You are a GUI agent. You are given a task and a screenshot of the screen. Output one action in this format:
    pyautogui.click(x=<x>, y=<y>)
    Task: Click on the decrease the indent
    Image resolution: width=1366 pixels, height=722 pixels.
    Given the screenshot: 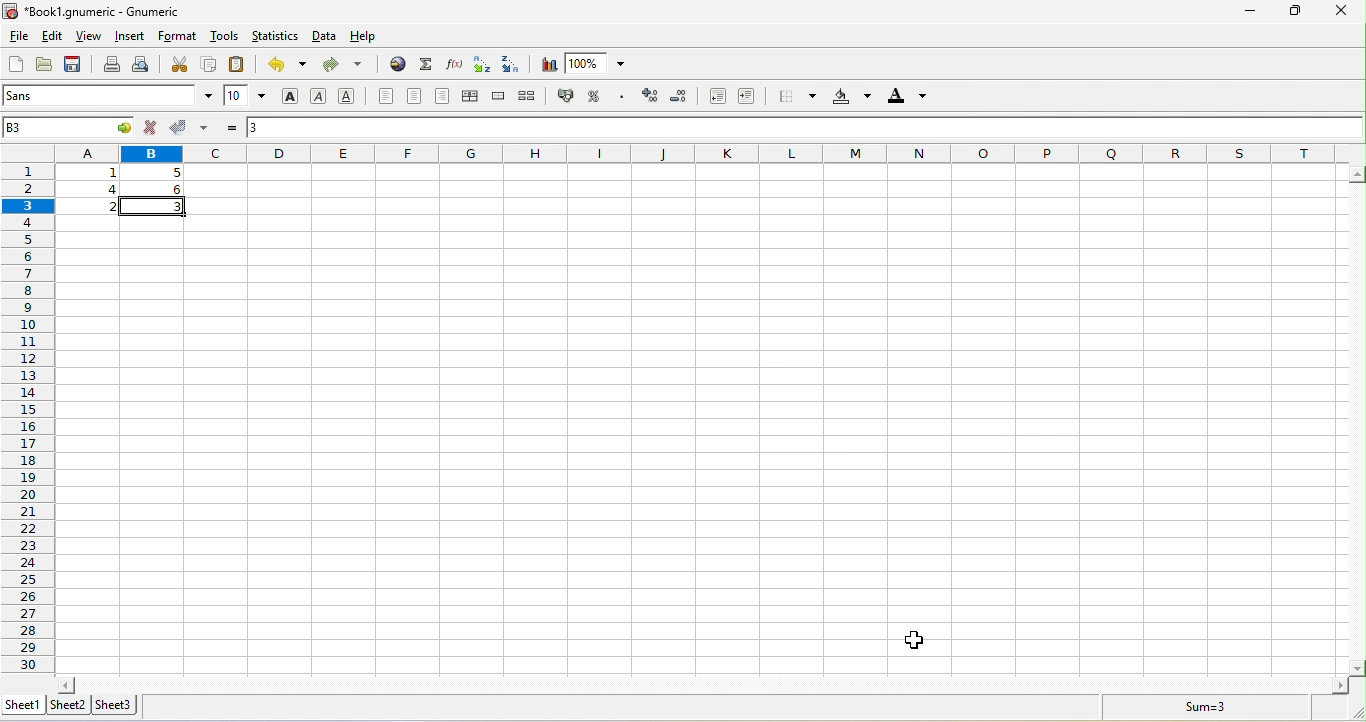 What is the action you would take?
    pyautogui.click(x=713, y=97)
    